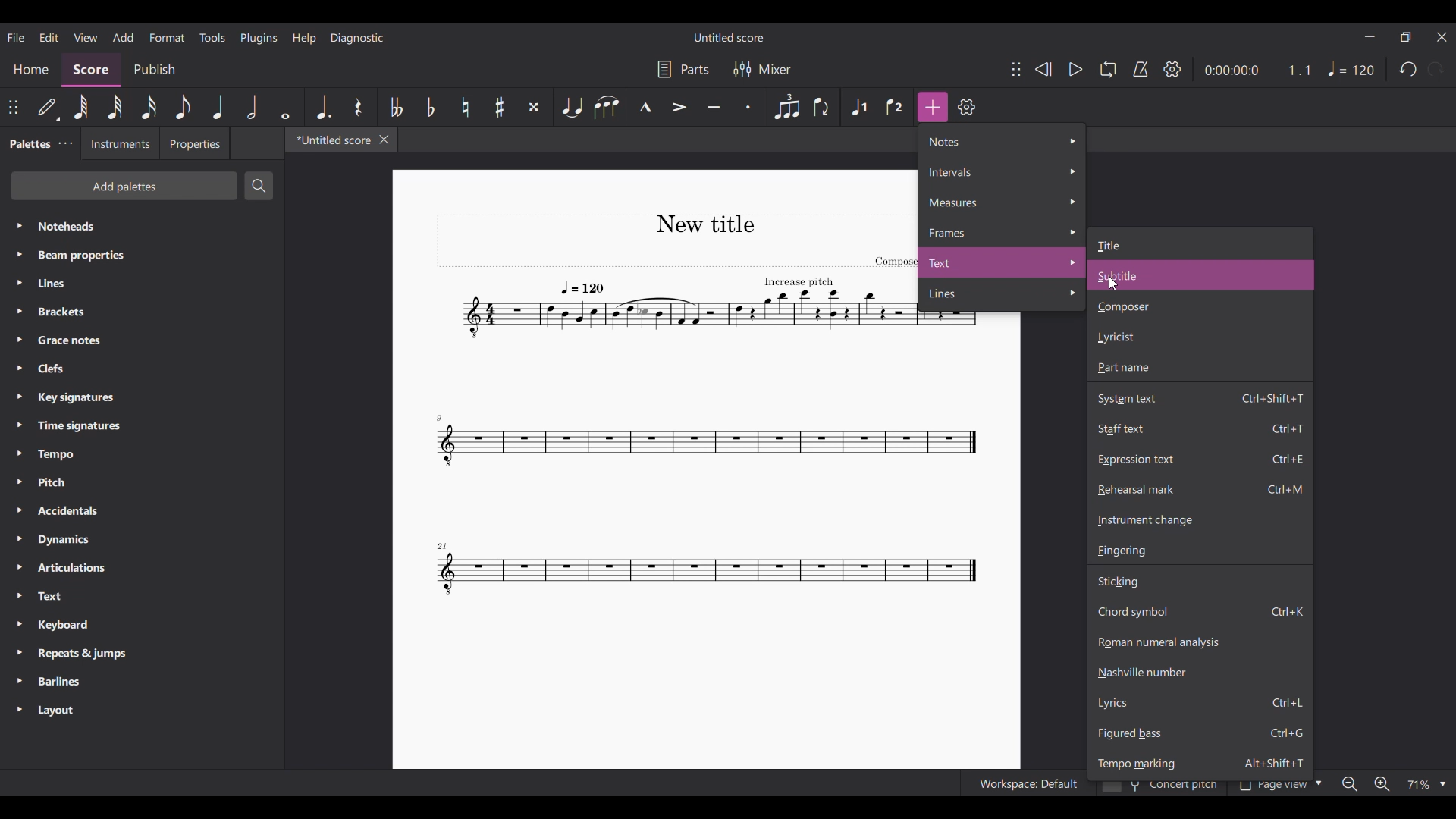  What do you see at coordinates (49, 36) in the screenshot?
I see `Edit menu` at bounding box center [49, 36].